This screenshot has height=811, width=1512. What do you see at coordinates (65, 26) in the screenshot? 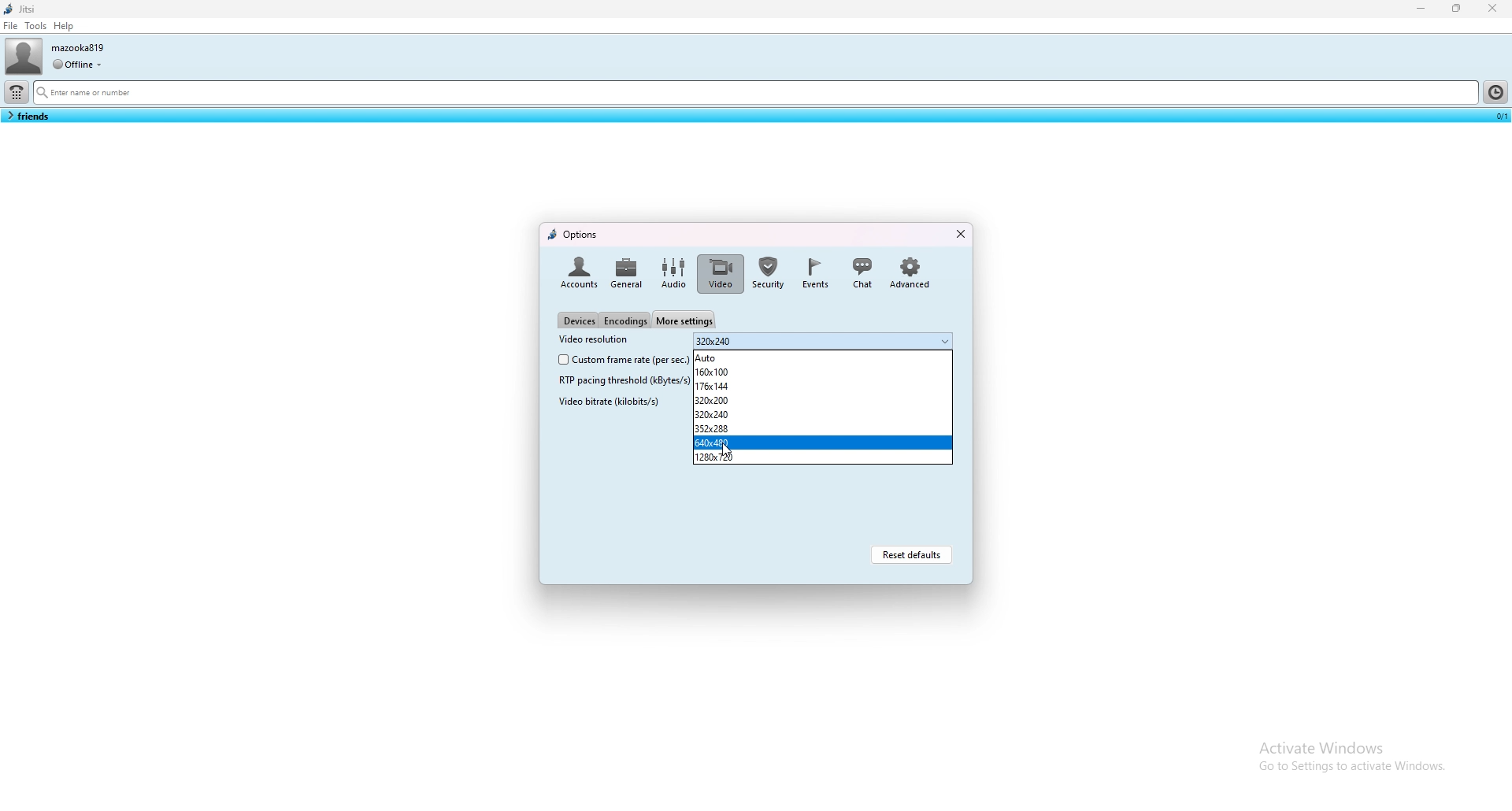
I see `help` at bounding box center [65, 26].